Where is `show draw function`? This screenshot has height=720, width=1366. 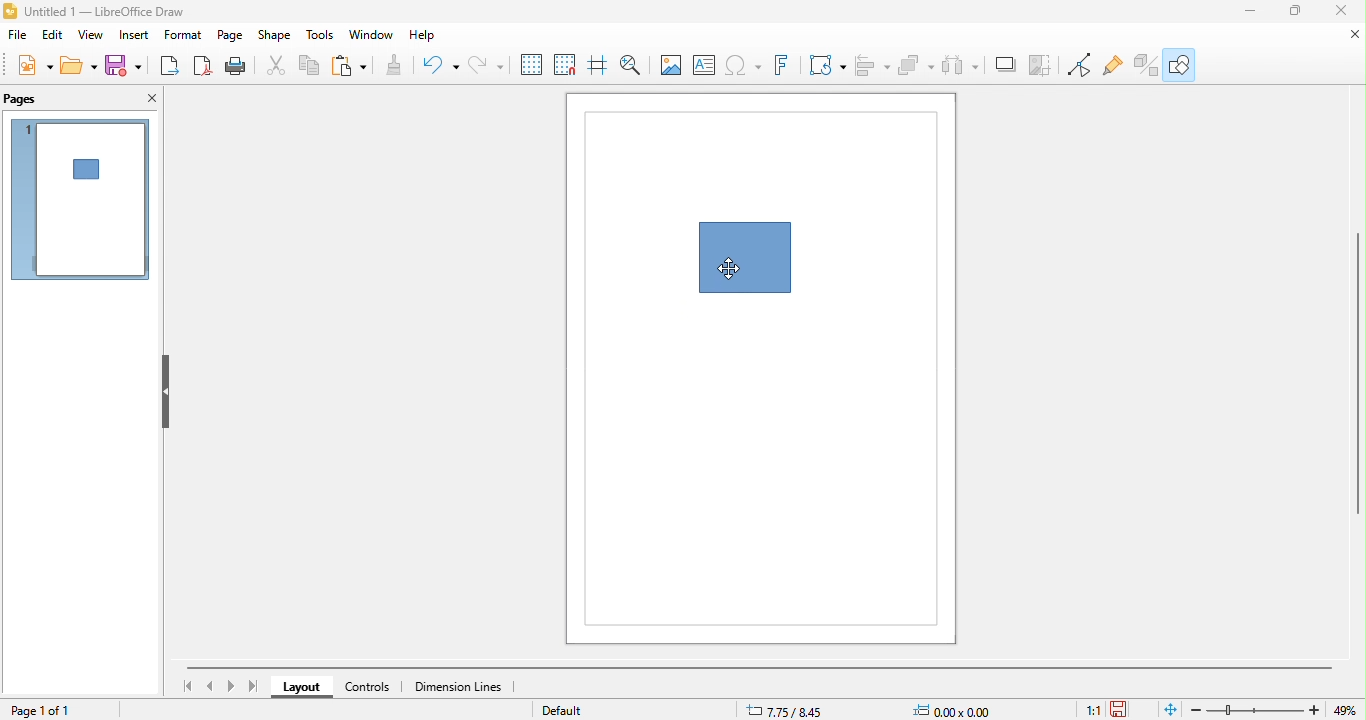
show draw function is located at coordinates (1179, 63).